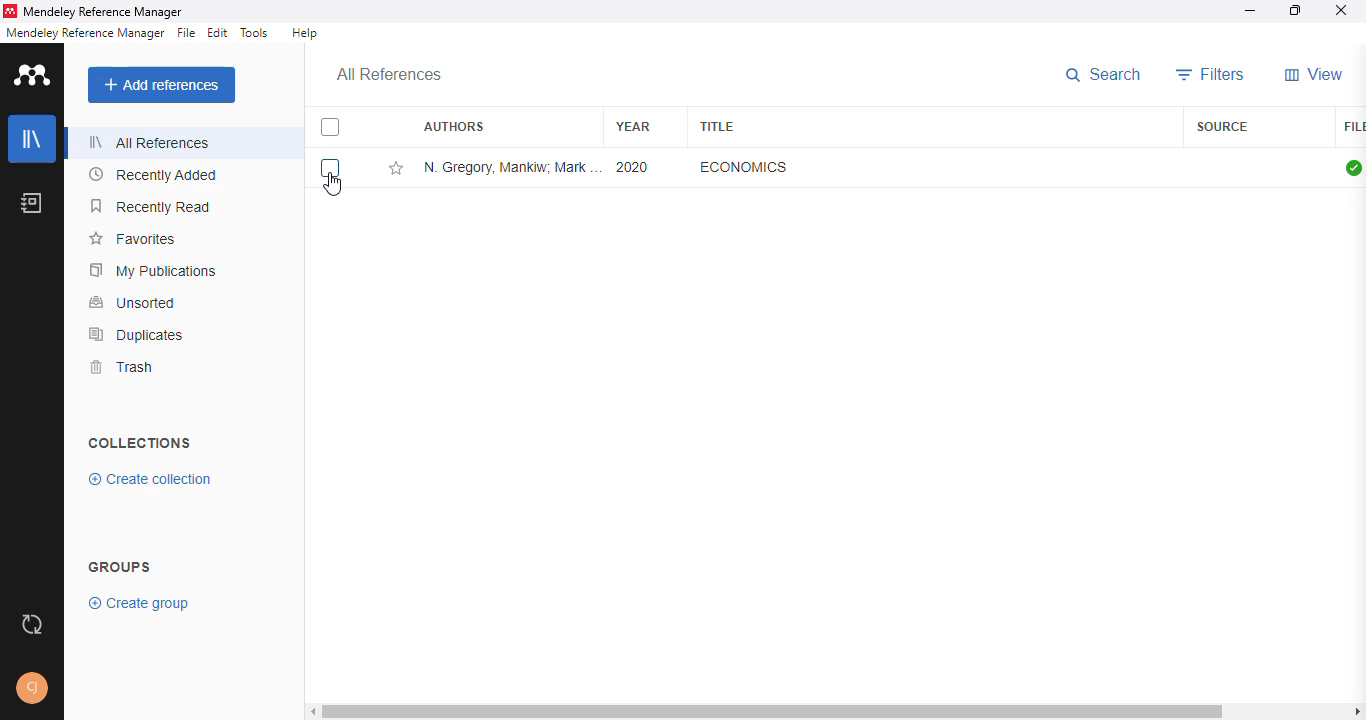 The image size is (1366, 720). What do you see at coordinates (743, 167) in the screenshot?
I see `economics` at bounding box center [743, 167].